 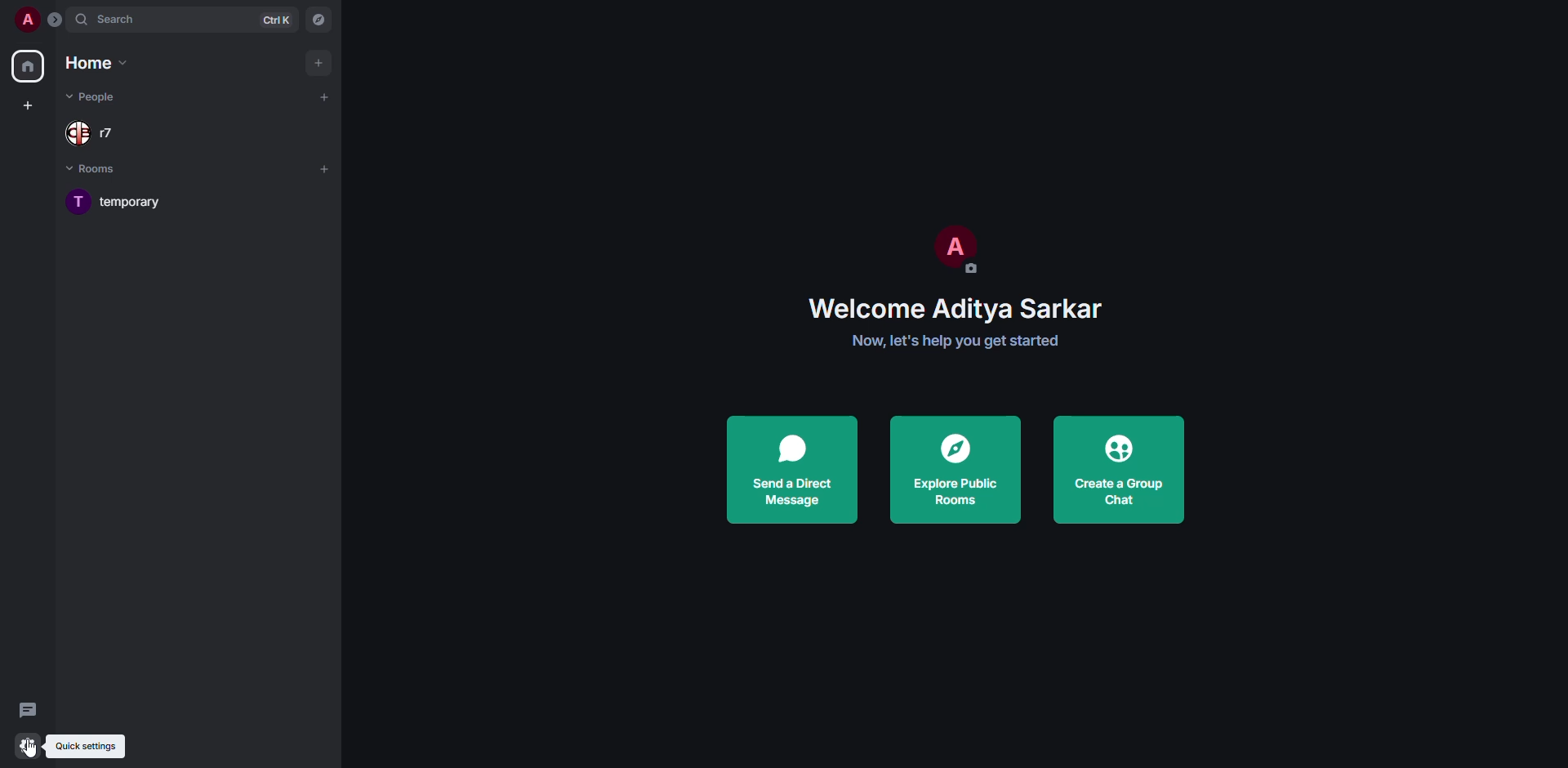 What do you see at coordinates (29, 746) in the screenshot?
I see `quick settings` at bounding box center [29, 746].